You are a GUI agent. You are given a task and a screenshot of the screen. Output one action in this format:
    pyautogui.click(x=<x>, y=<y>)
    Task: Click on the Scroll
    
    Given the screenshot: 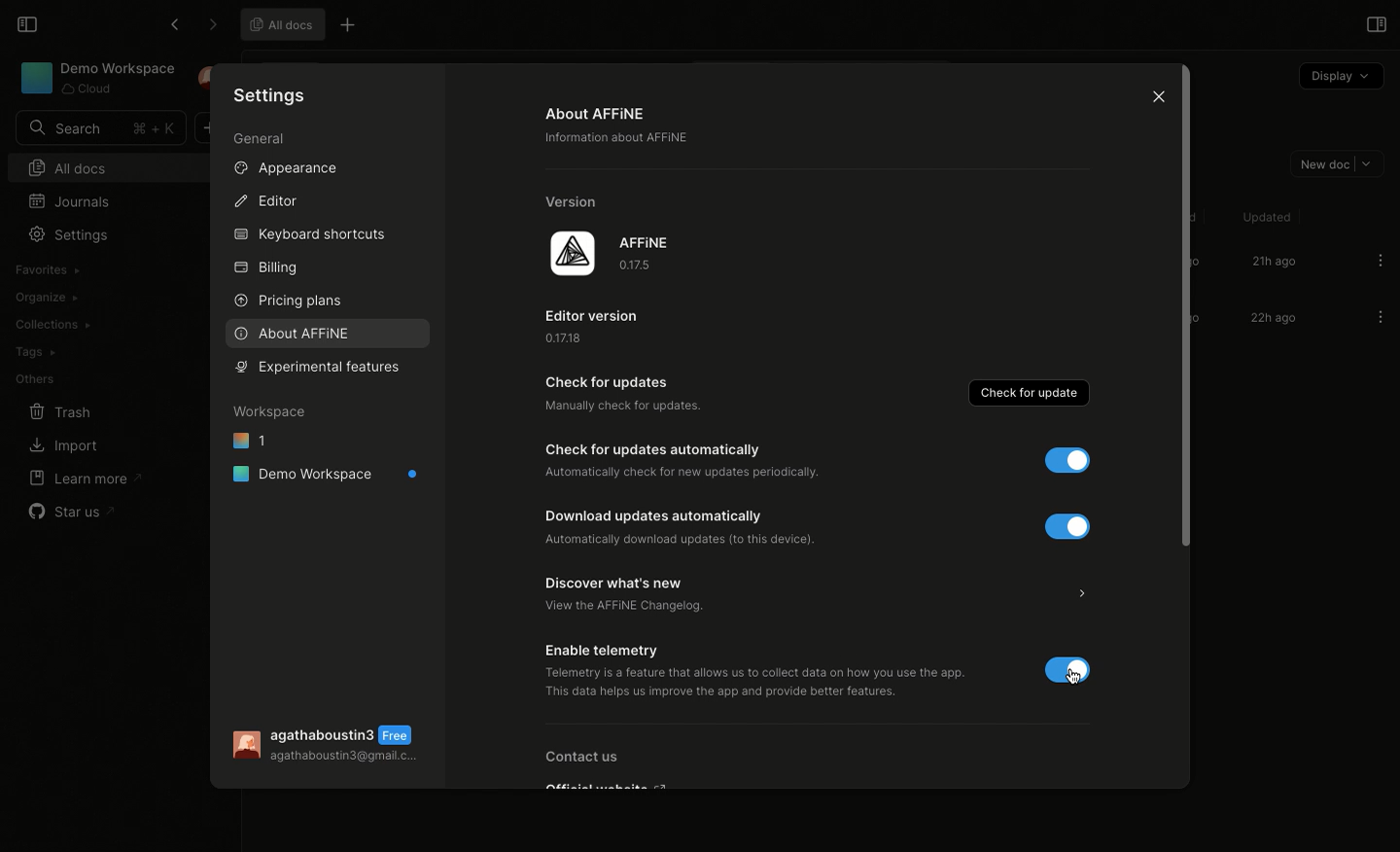 What is the action you would take?
    pyautogui.click(x=1184, y=319)
    